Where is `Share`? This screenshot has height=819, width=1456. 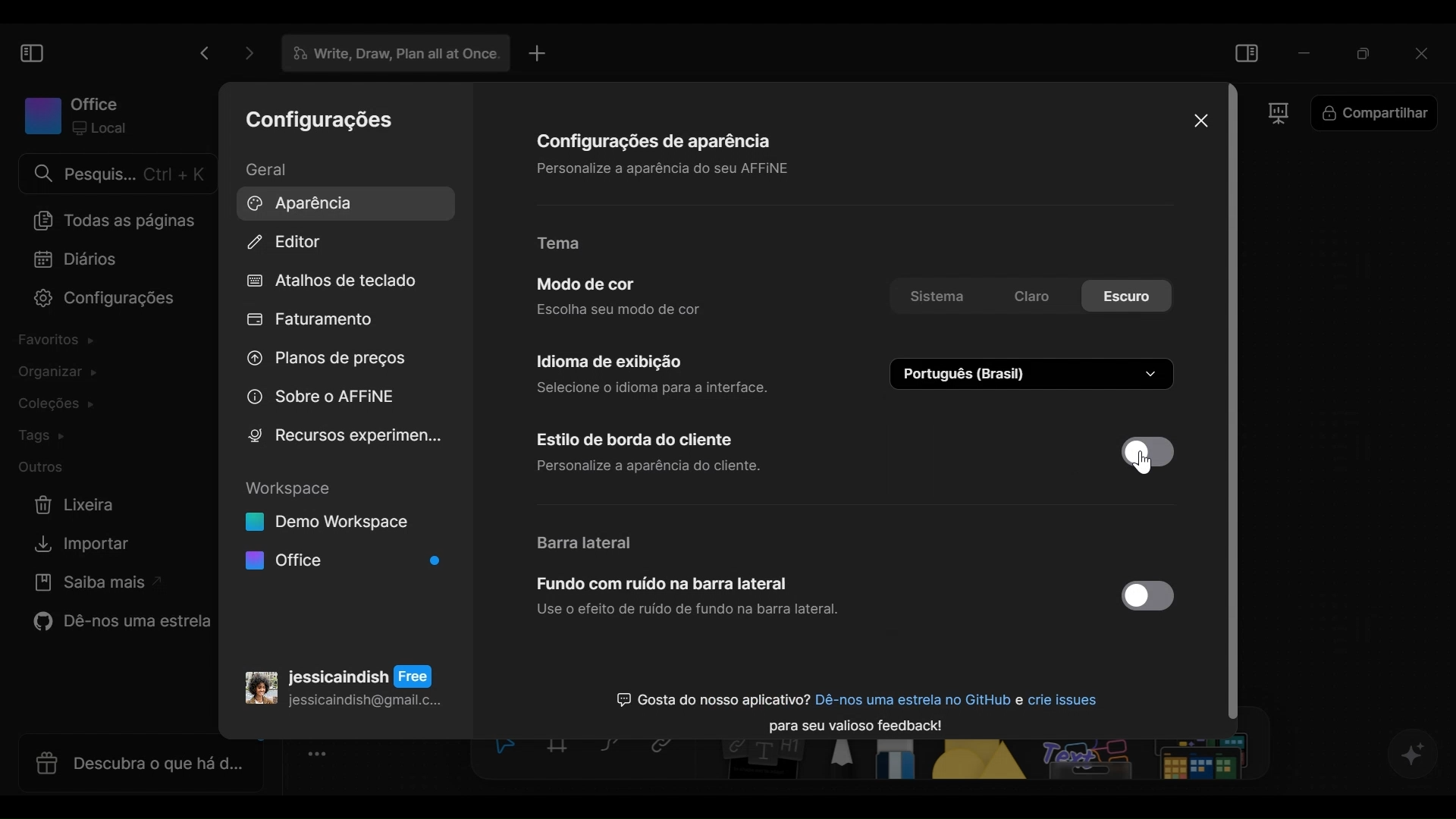
Share is located at coordinates (1375, 115).